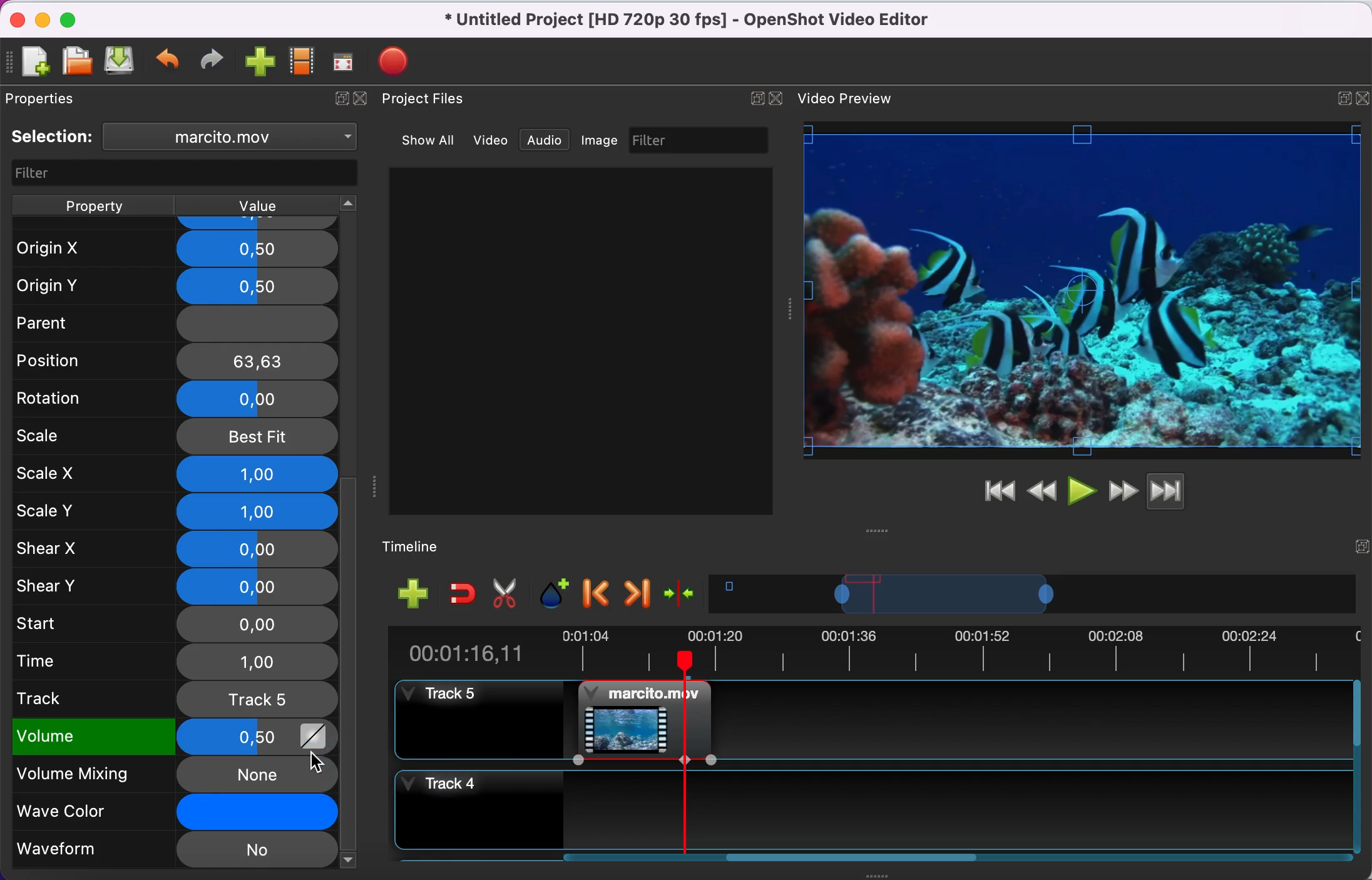  What do you see at coordinates (397, 58) in the screenshot?
I see `export file` at bounding box center [397, 58].